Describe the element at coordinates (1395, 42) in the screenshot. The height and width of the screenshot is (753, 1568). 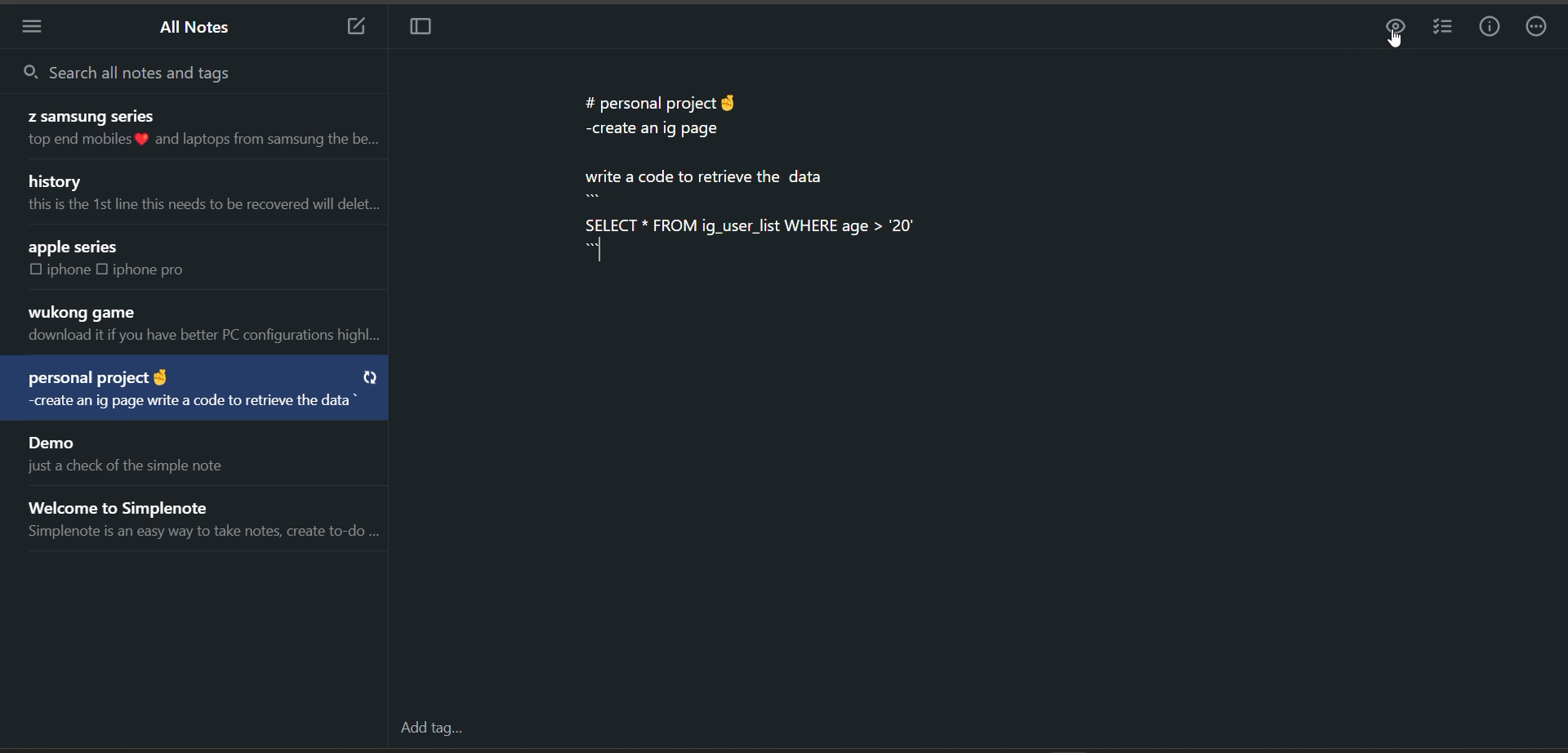
I see `cursor` at that location.